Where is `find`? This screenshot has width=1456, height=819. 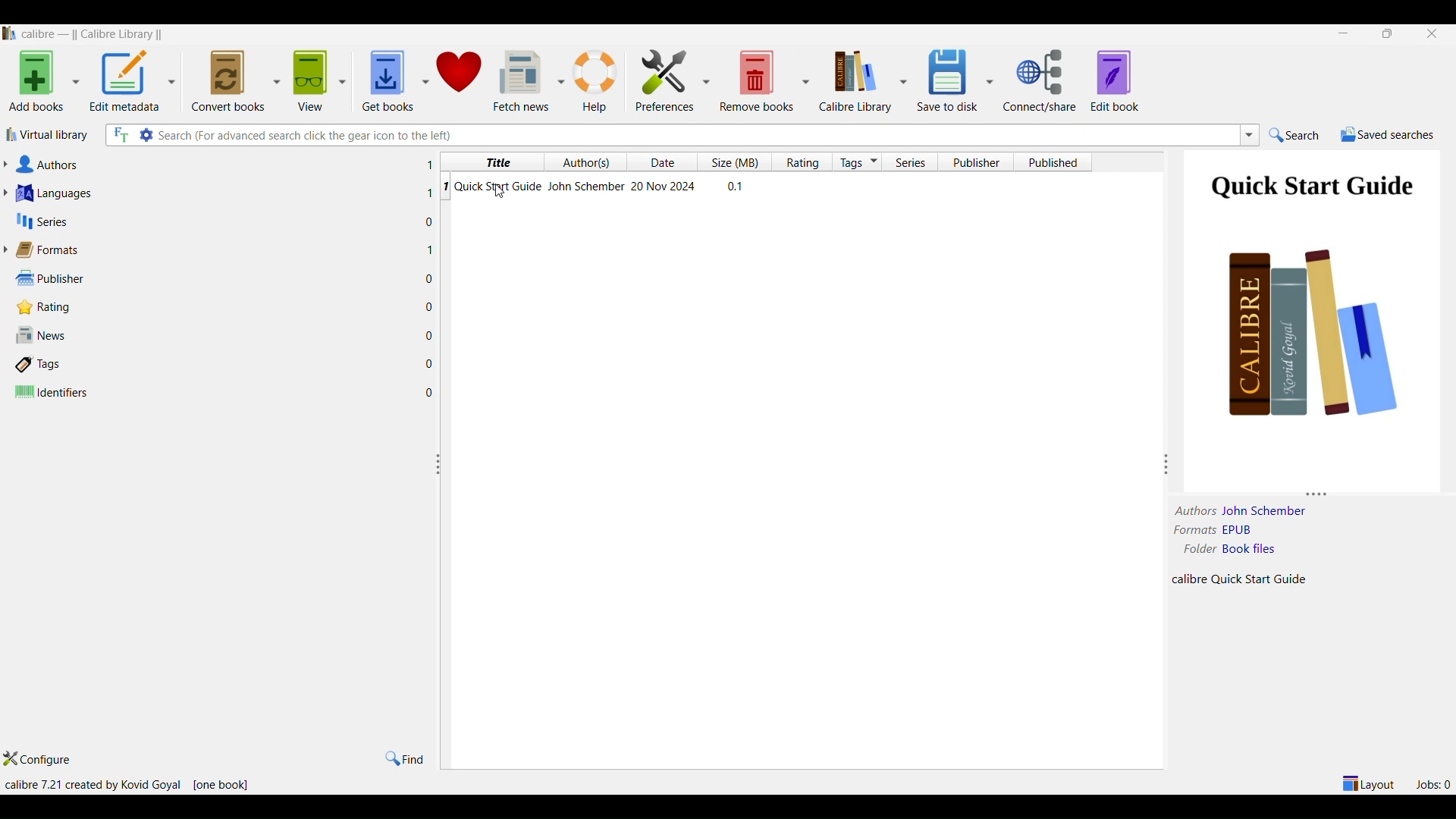
find is located at coordinates (406, 758).